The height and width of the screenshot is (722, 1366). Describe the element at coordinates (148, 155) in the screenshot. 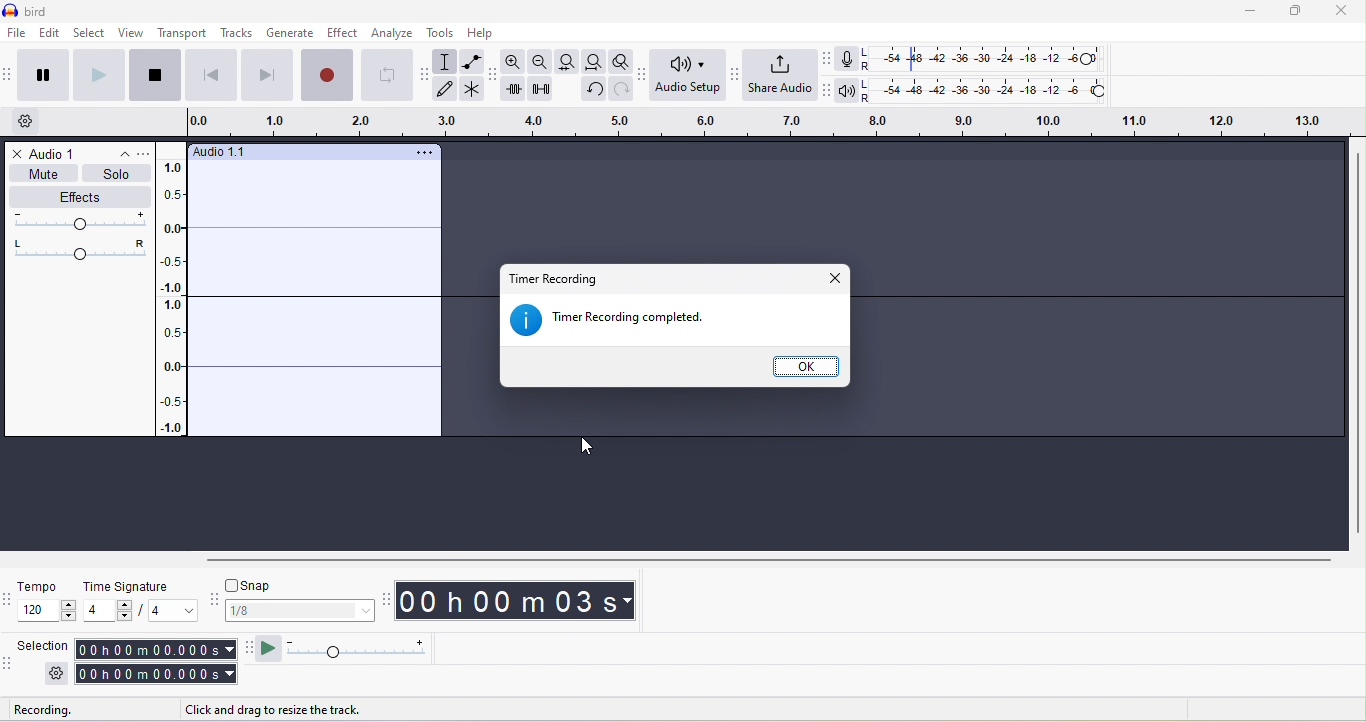

I see `options` at that location.